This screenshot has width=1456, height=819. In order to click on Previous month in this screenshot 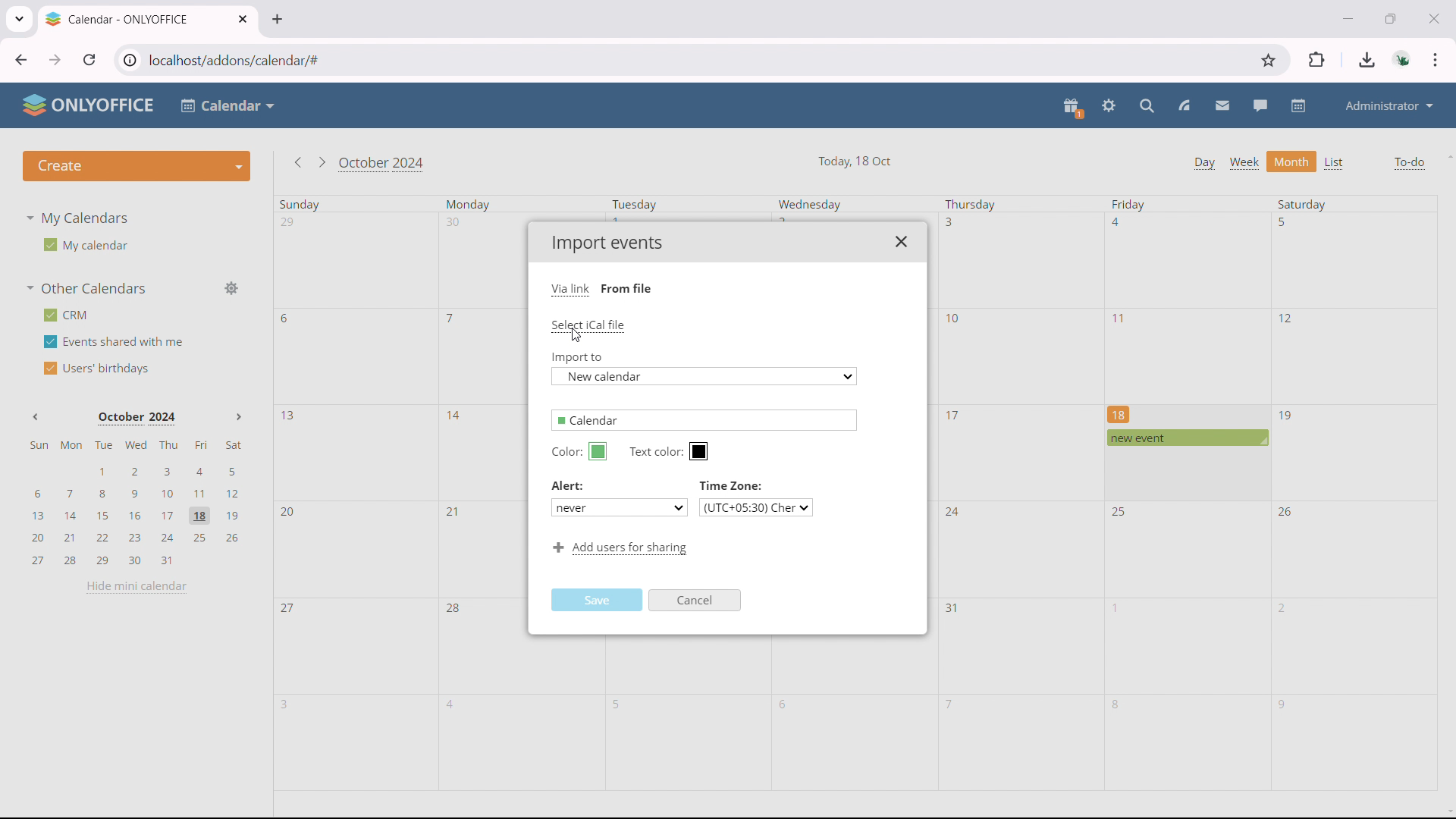, I will do `click(34, 418)`.